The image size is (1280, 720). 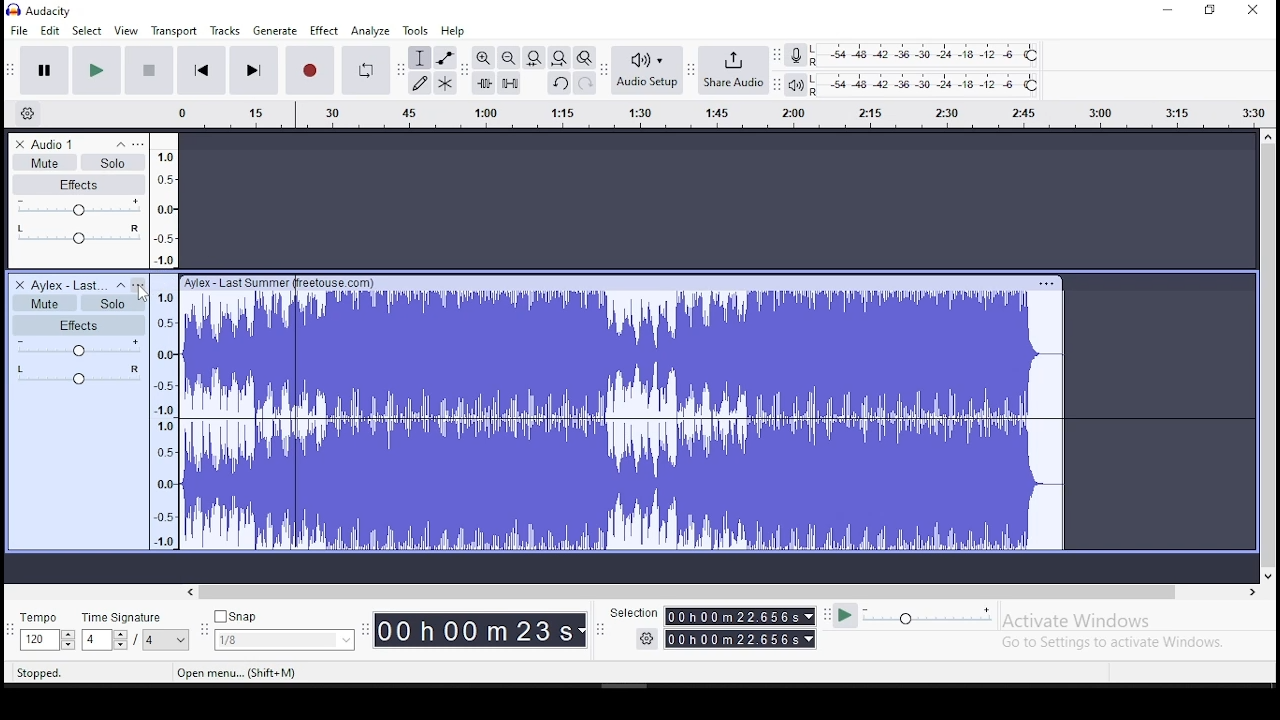 What do you see at coordinates (481, 629) in the screenshot?
I see `00 h 00 m 23 s` at bounding box center [481, 629].